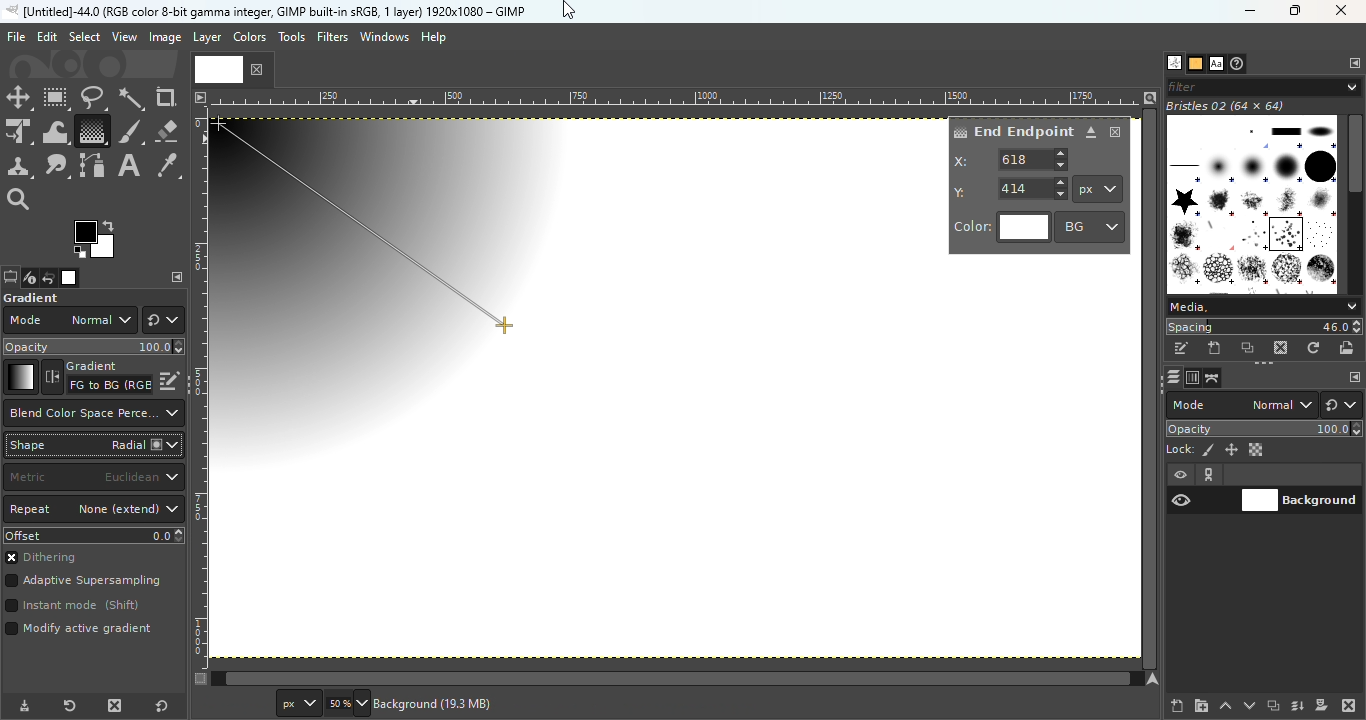  I want to click on Colors, so click(248, 36).